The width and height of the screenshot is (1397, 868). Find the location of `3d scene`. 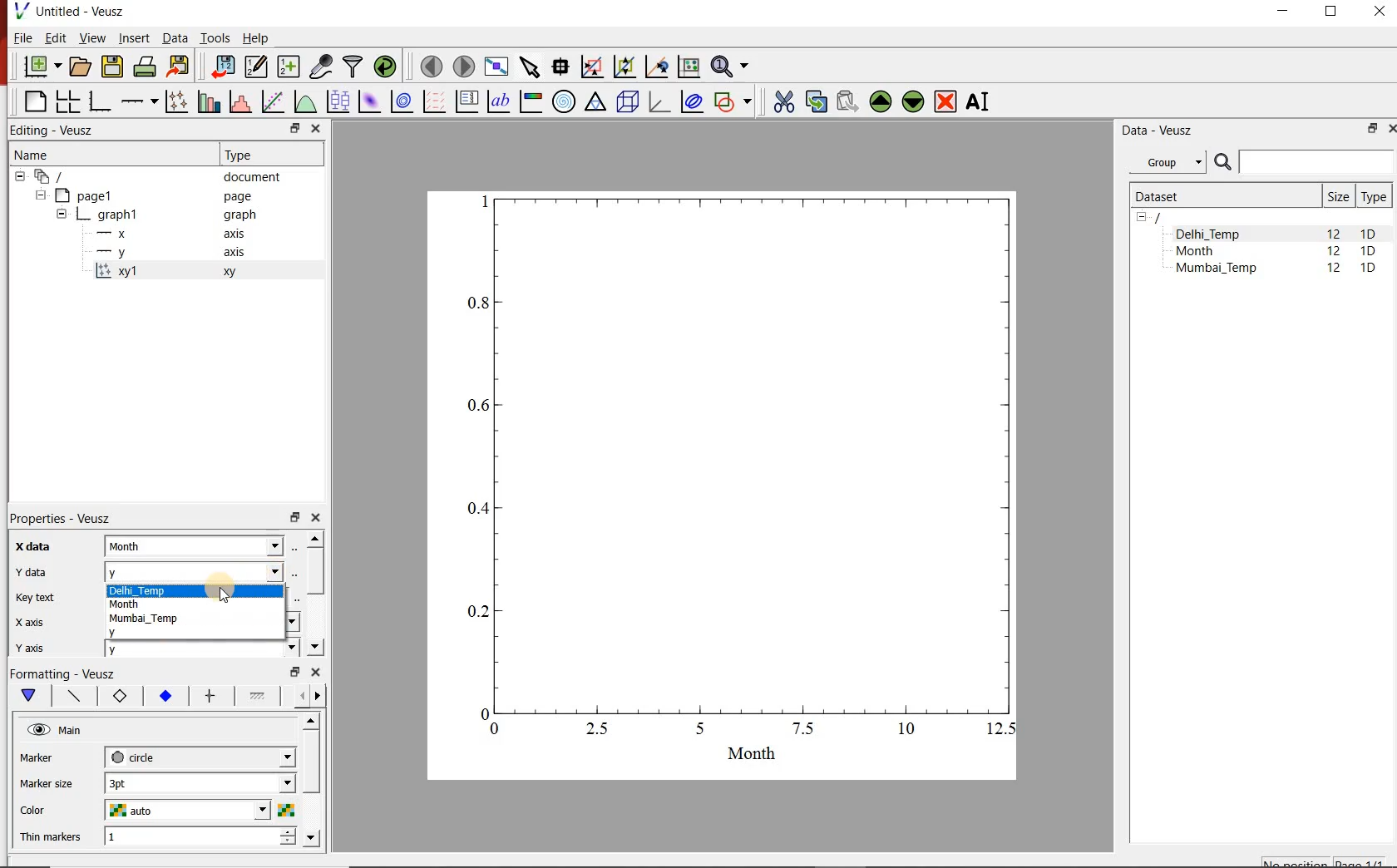

3d scene is located at coordinates (626, 102).